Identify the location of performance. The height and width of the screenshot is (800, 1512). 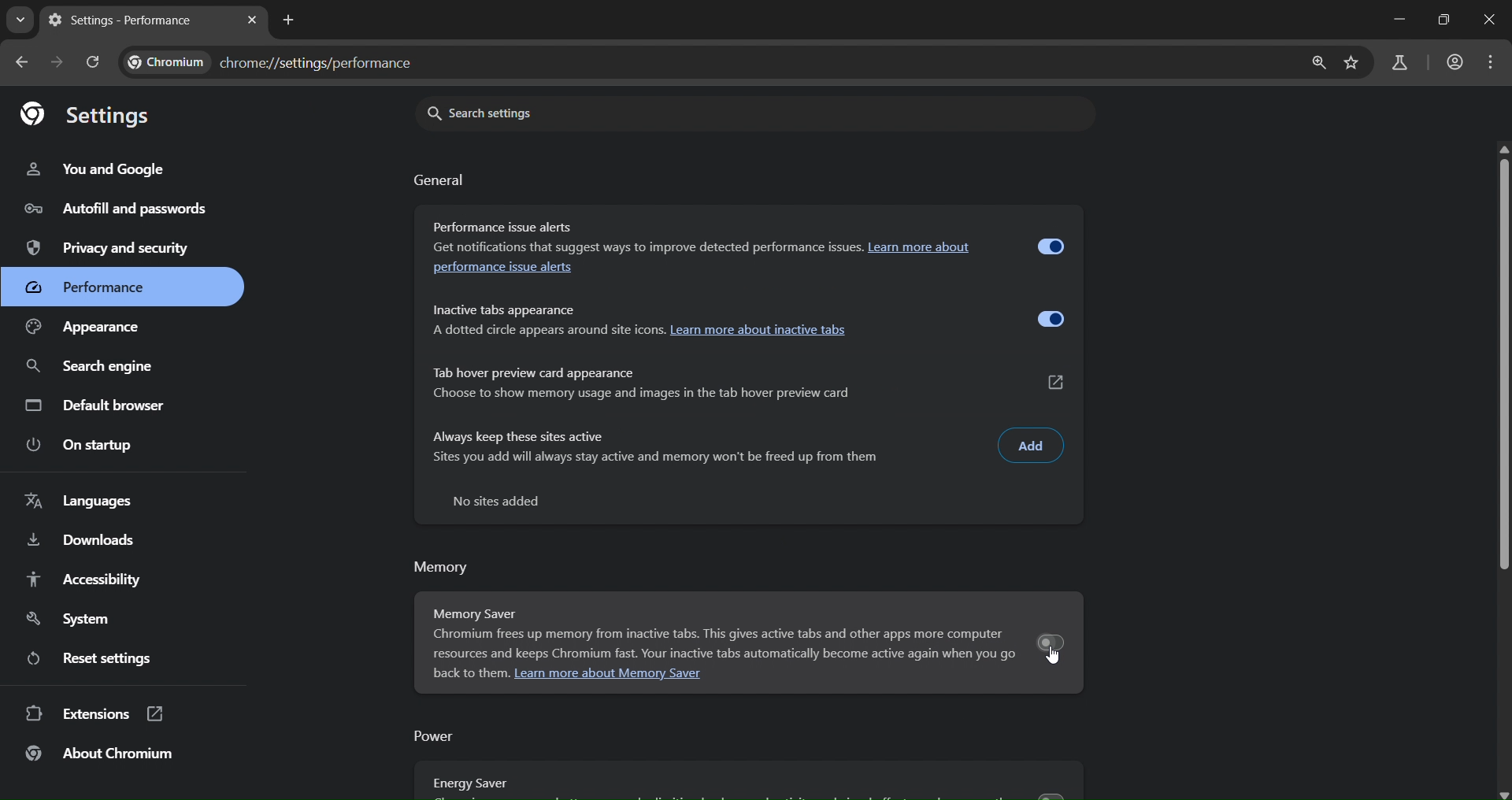
(101, 284).